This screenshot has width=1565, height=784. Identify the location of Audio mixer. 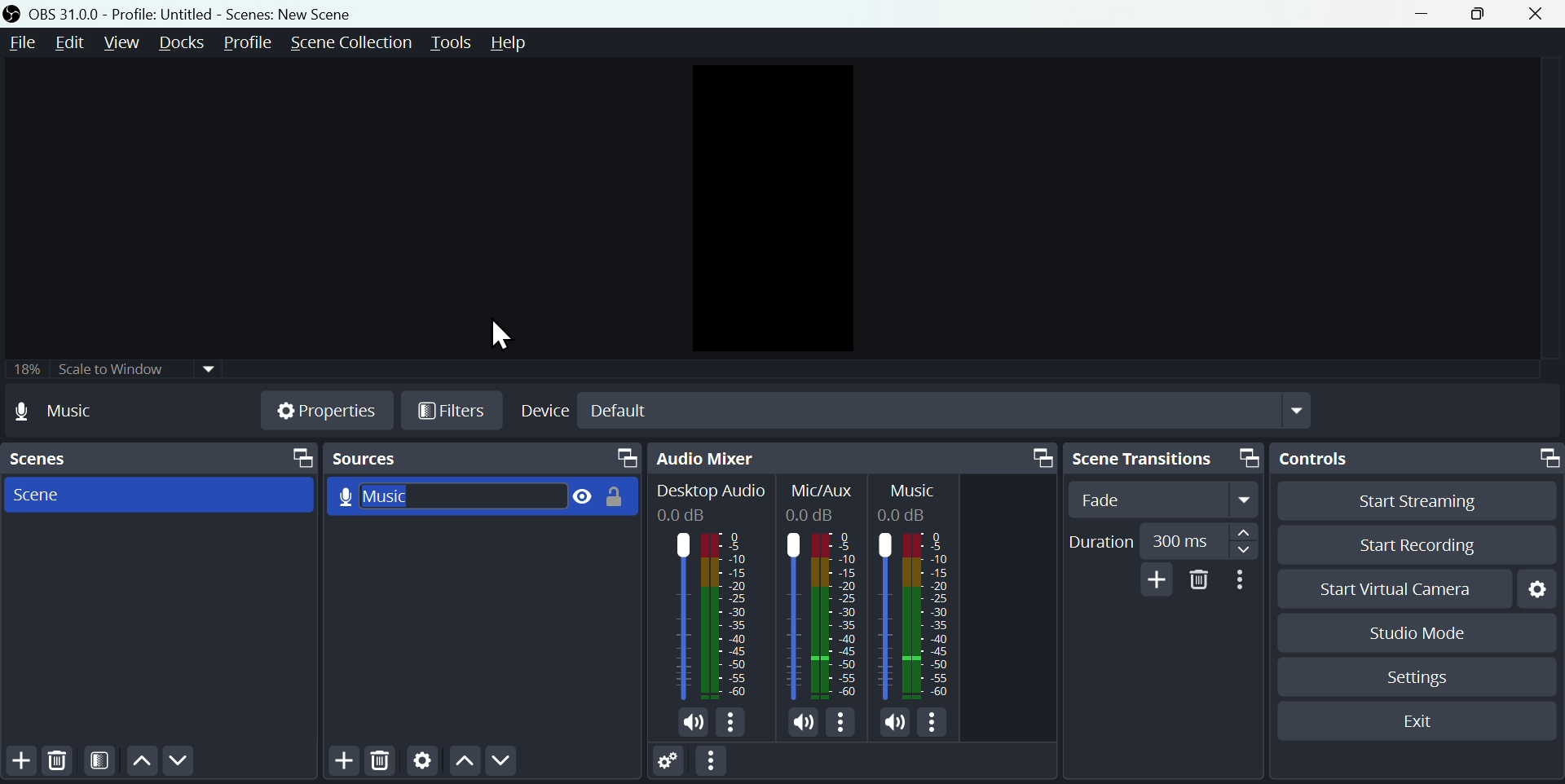
(850, 457).